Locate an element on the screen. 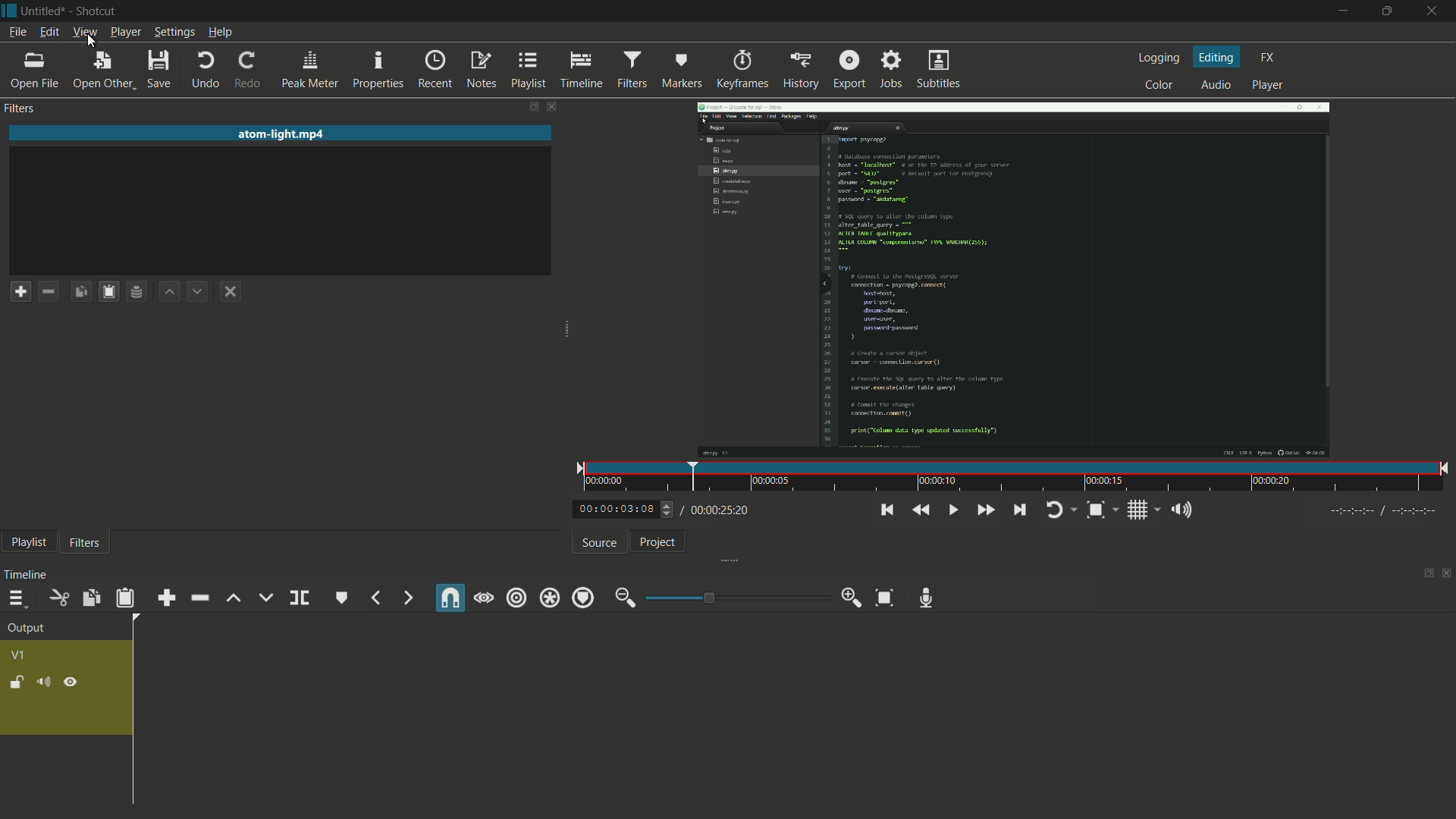  adjustment bar is located at coordinates (738, 598).